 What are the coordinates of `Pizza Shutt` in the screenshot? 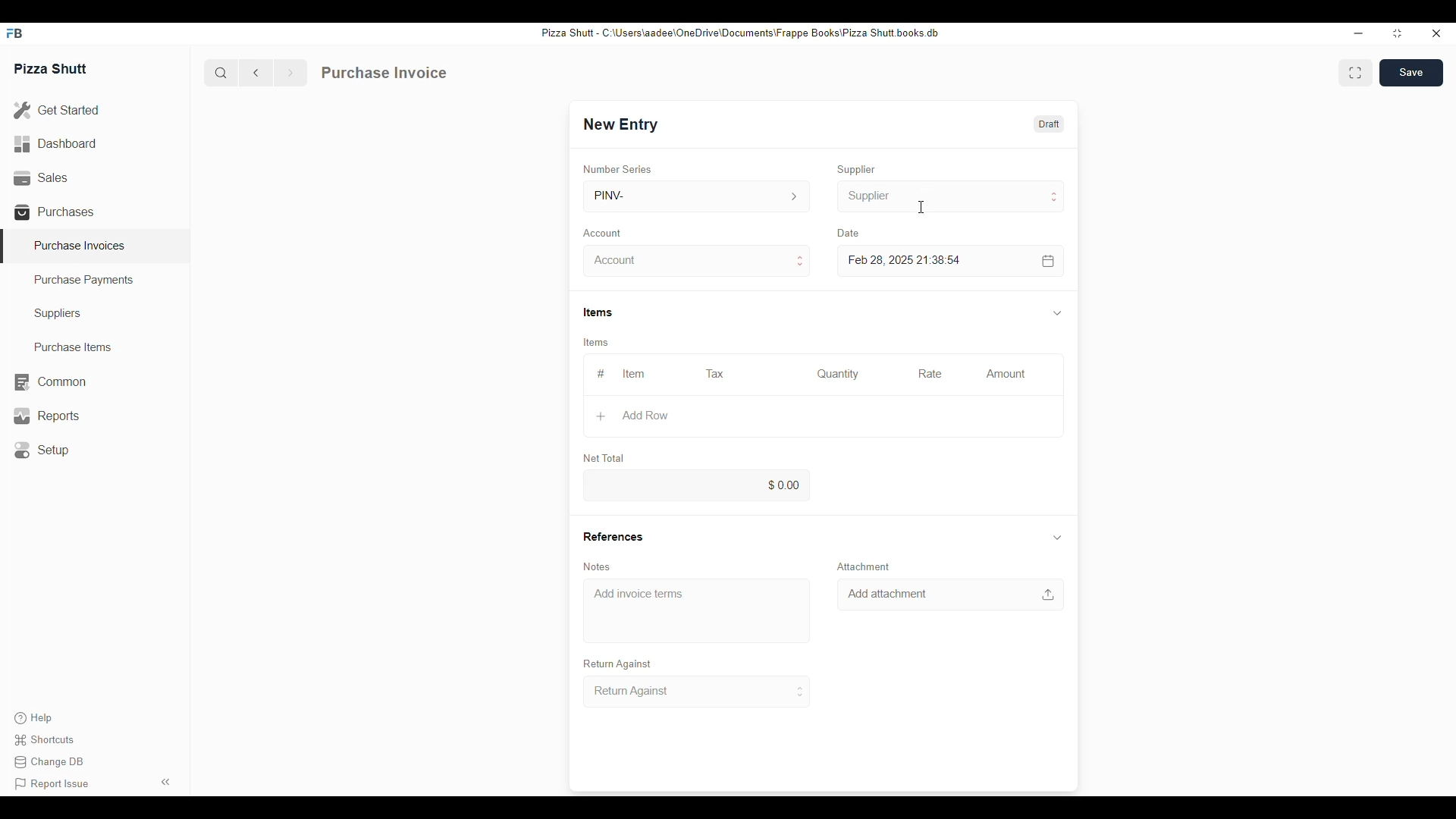 It's located at (52, 67).